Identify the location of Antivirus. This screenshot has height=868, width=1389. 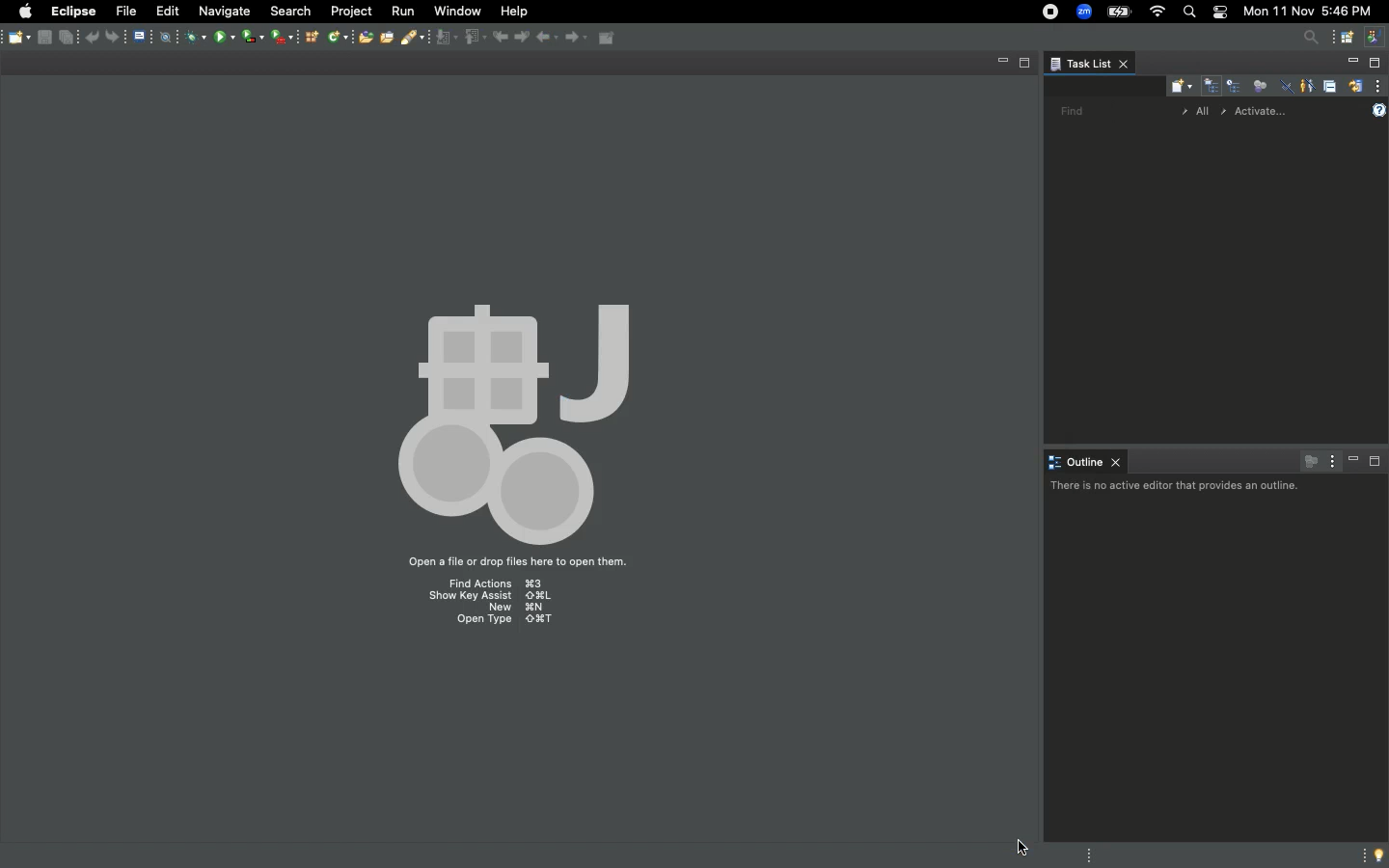
(192, 36).